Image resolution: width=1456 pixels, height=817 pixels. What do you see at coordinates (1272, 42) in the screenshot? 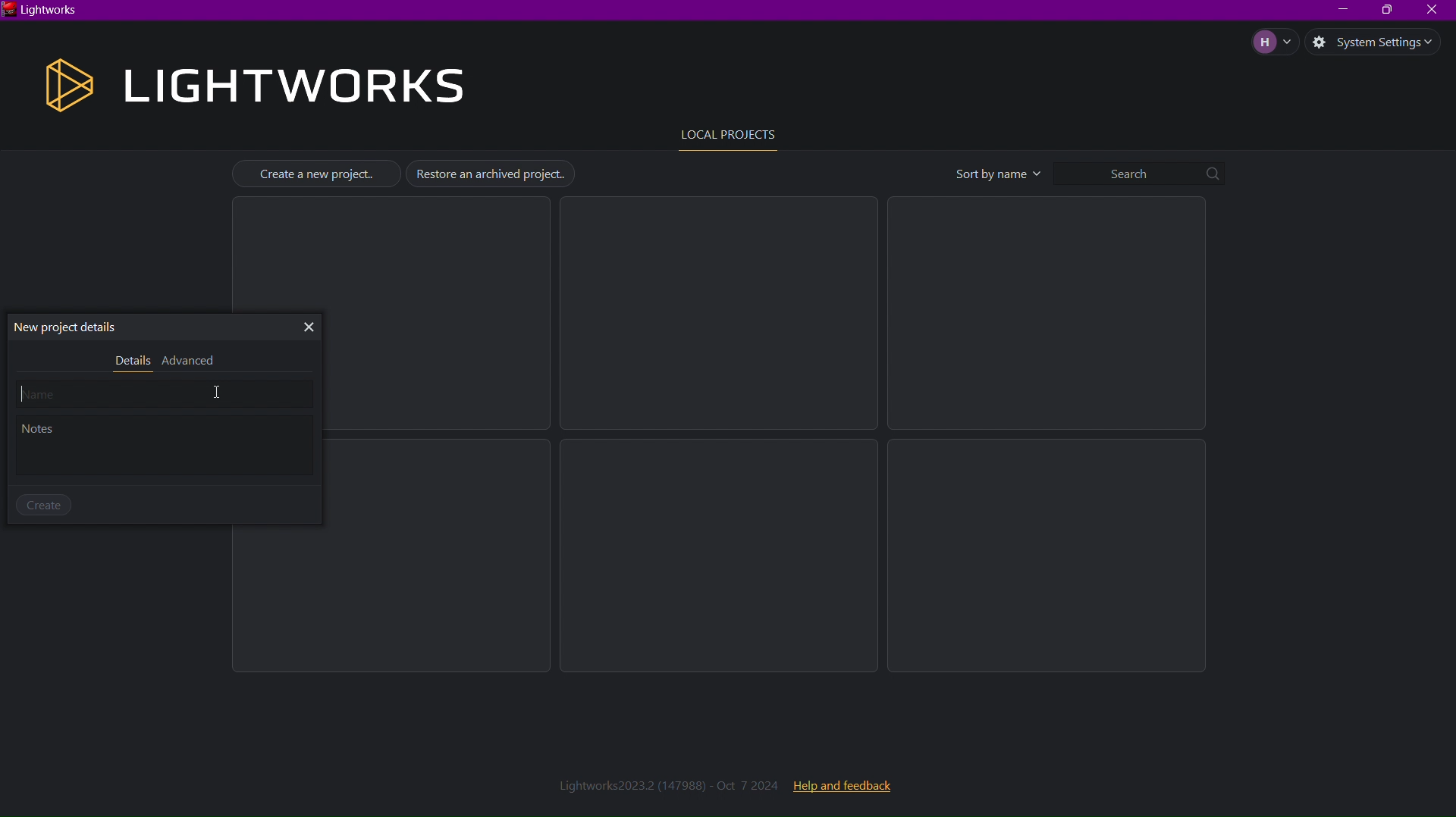
I see `Account` at bounding box center [1272, 42].